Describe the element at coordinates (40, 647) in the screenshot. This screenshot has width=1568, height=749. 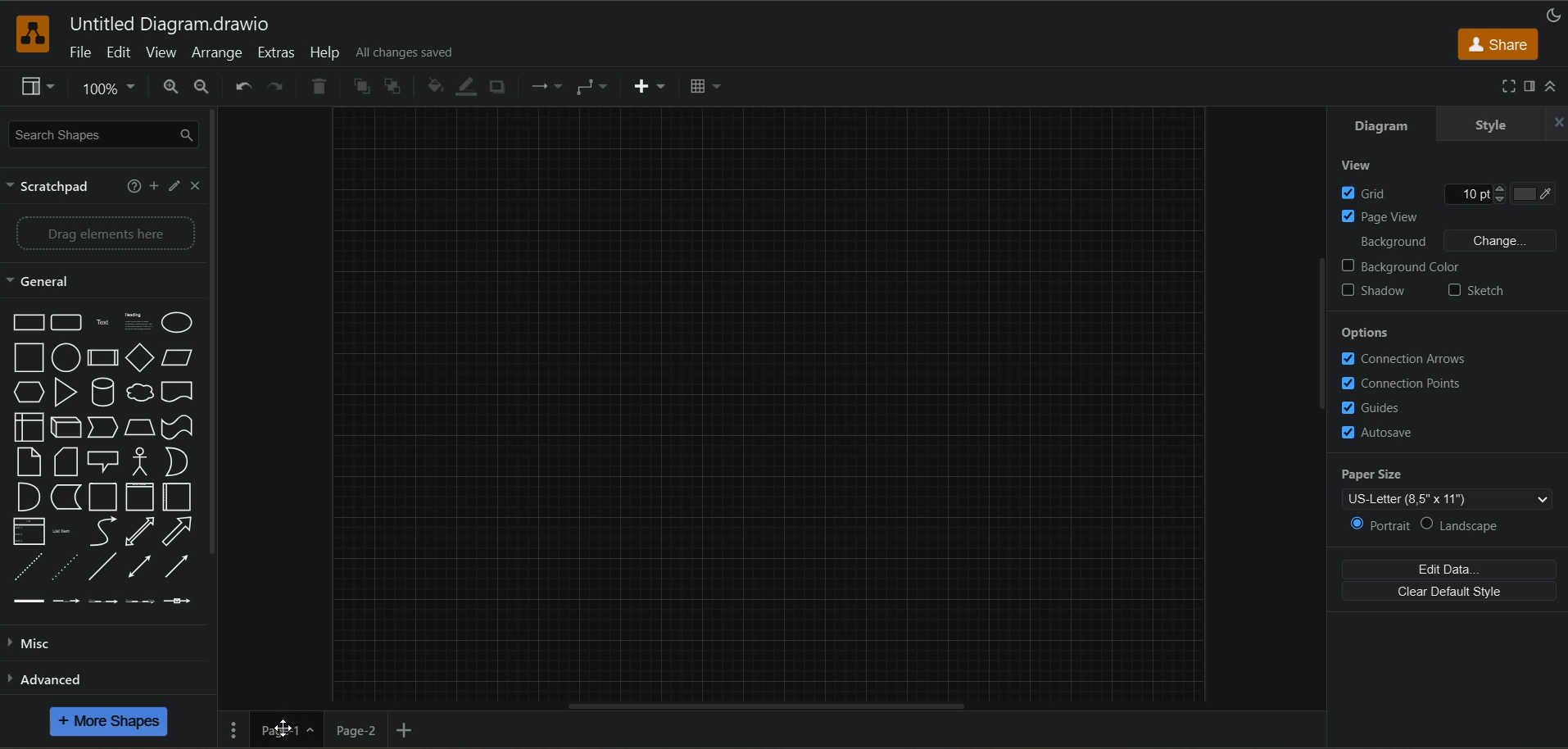
I see `misc` at that location.